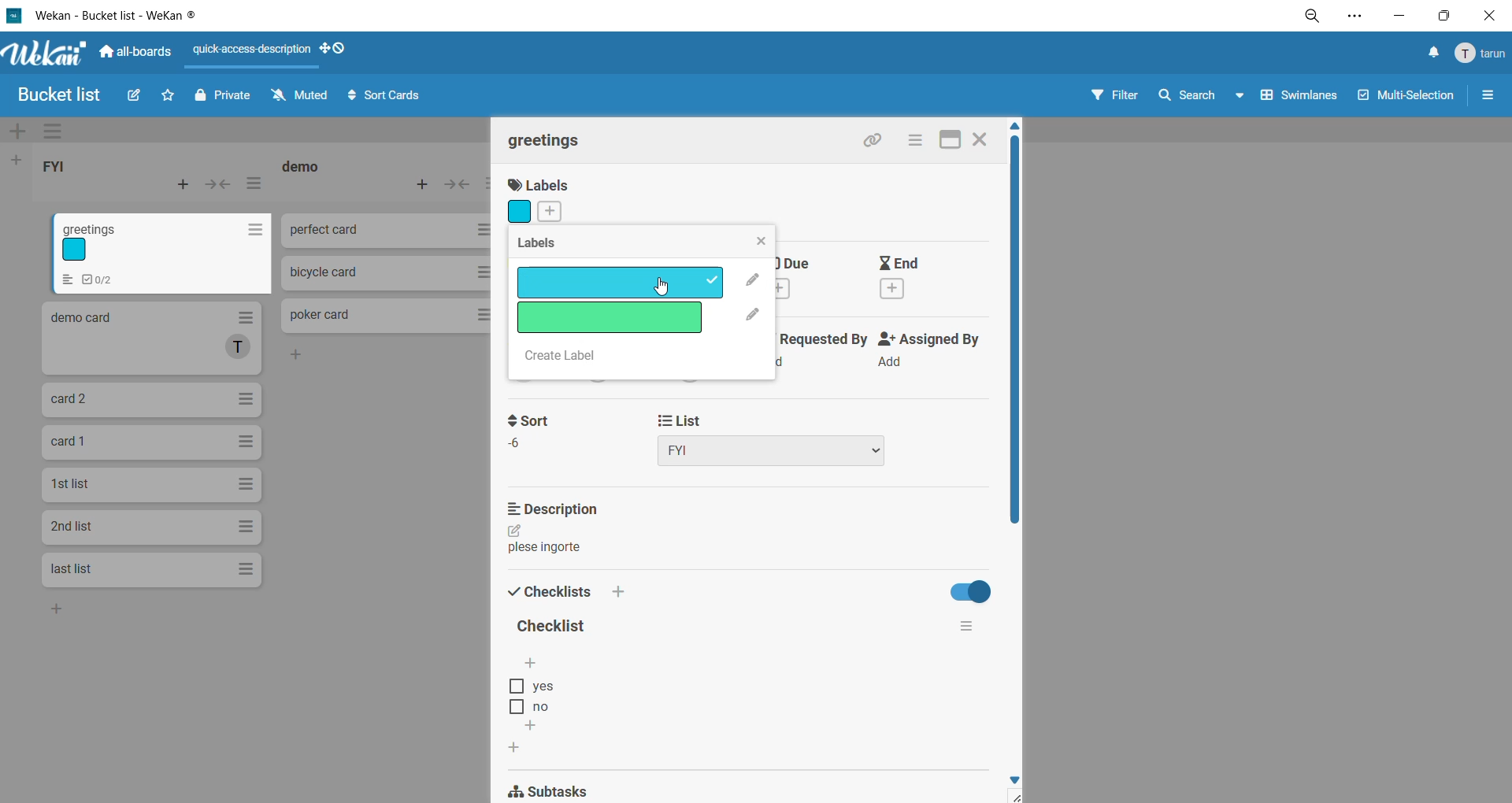 Image resolution: width=1512 pixels, height=803 pixels. Describe the element at coordinates (424, 187) in the screenshot. I see `add card` at that location.